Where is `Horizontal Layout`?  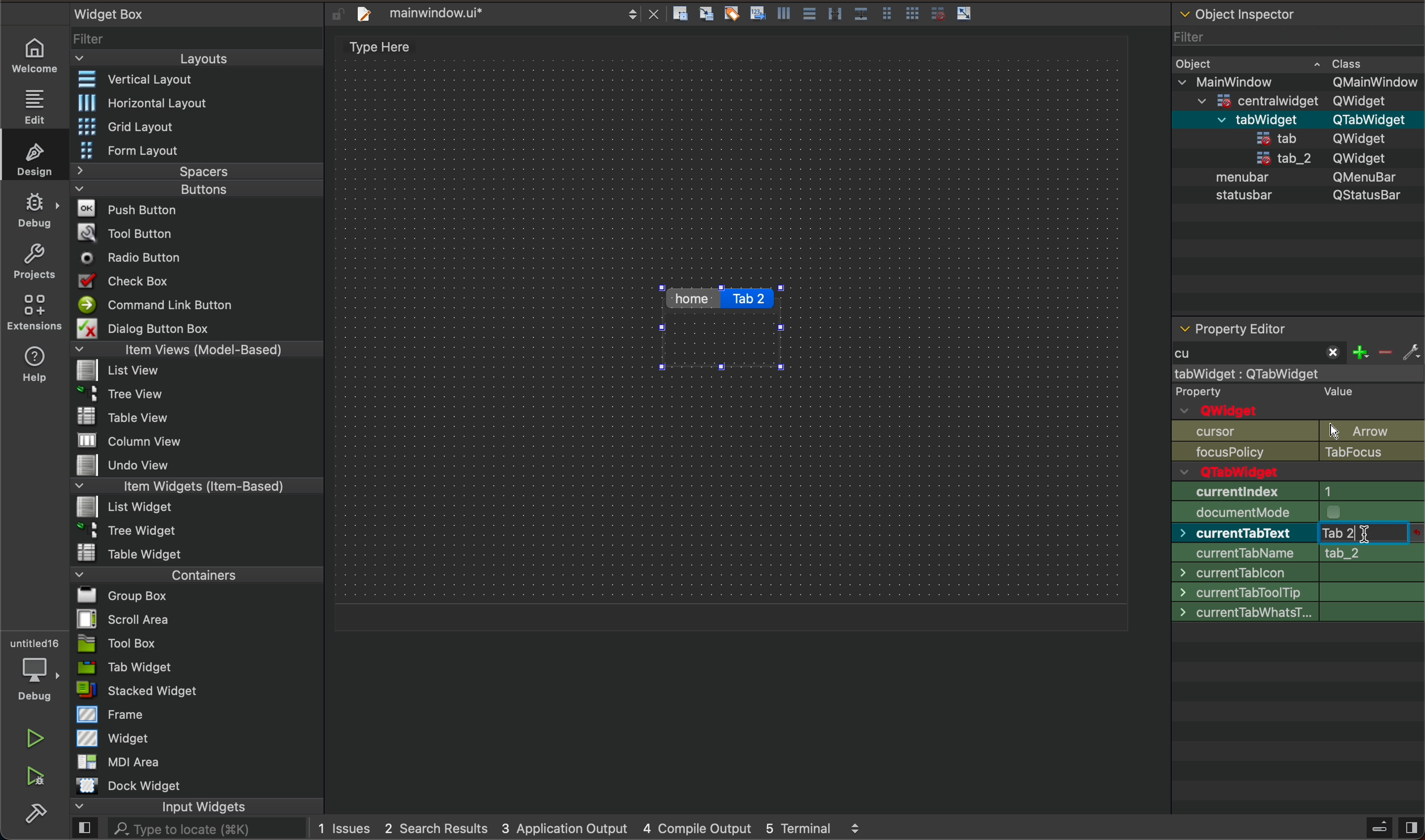 Horizontal Layout is located at coordinates (134, 104).